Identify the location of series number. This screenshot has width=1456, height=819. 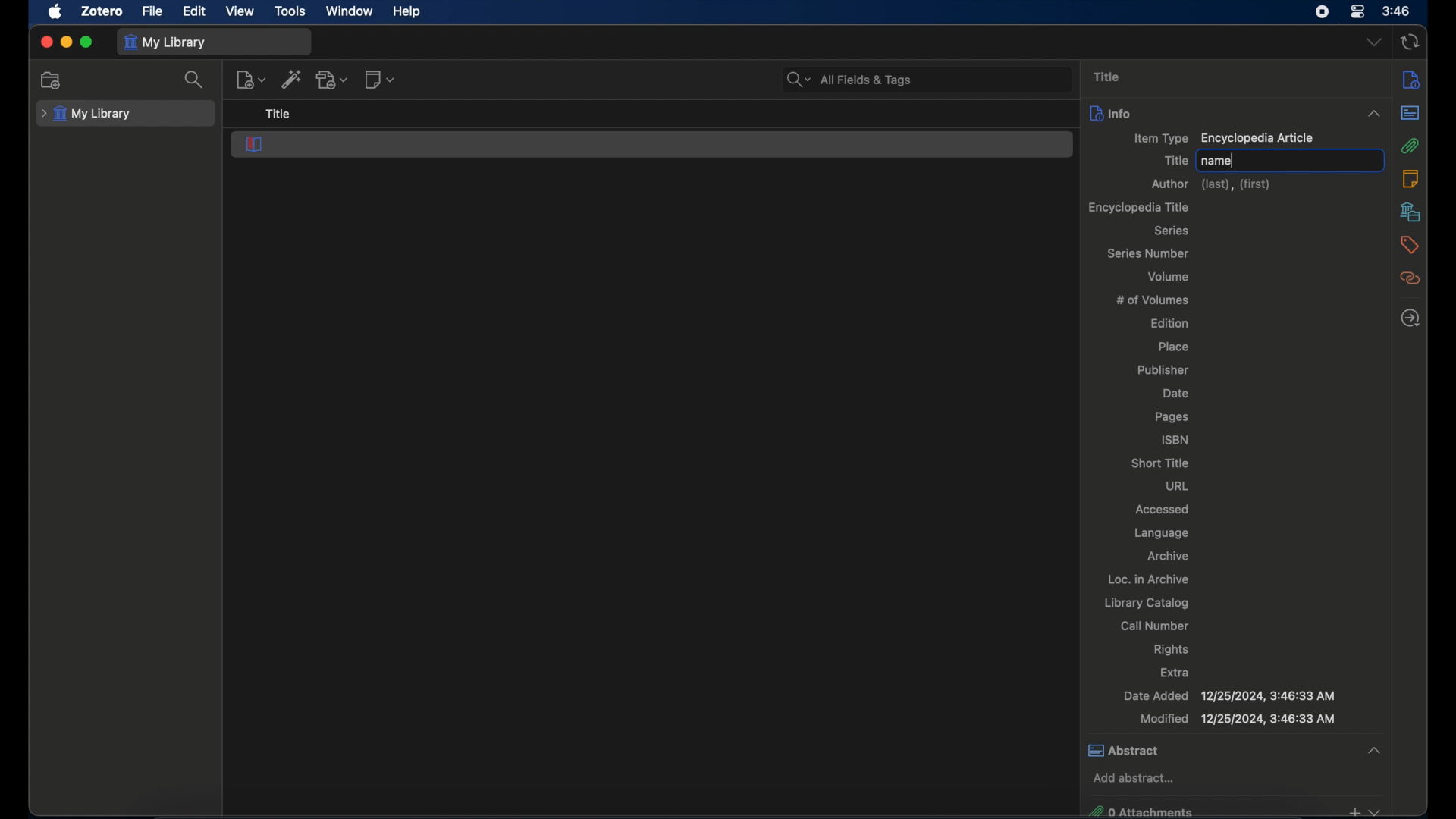
(1150, 253).